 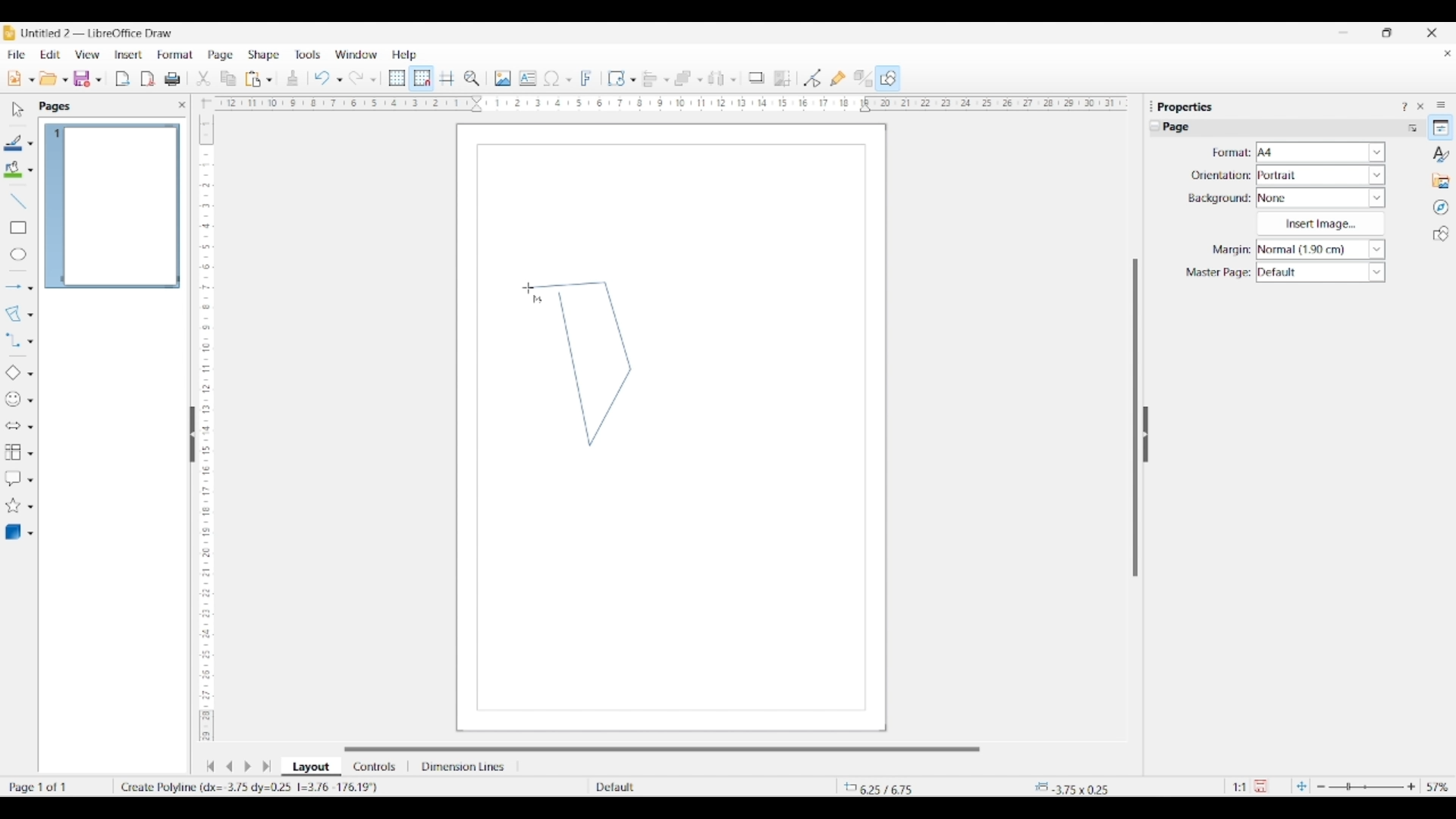 What do you see at coordinates (269, 80) in the screenshot?
I see `Paste options` at bounding box center [269, 80].